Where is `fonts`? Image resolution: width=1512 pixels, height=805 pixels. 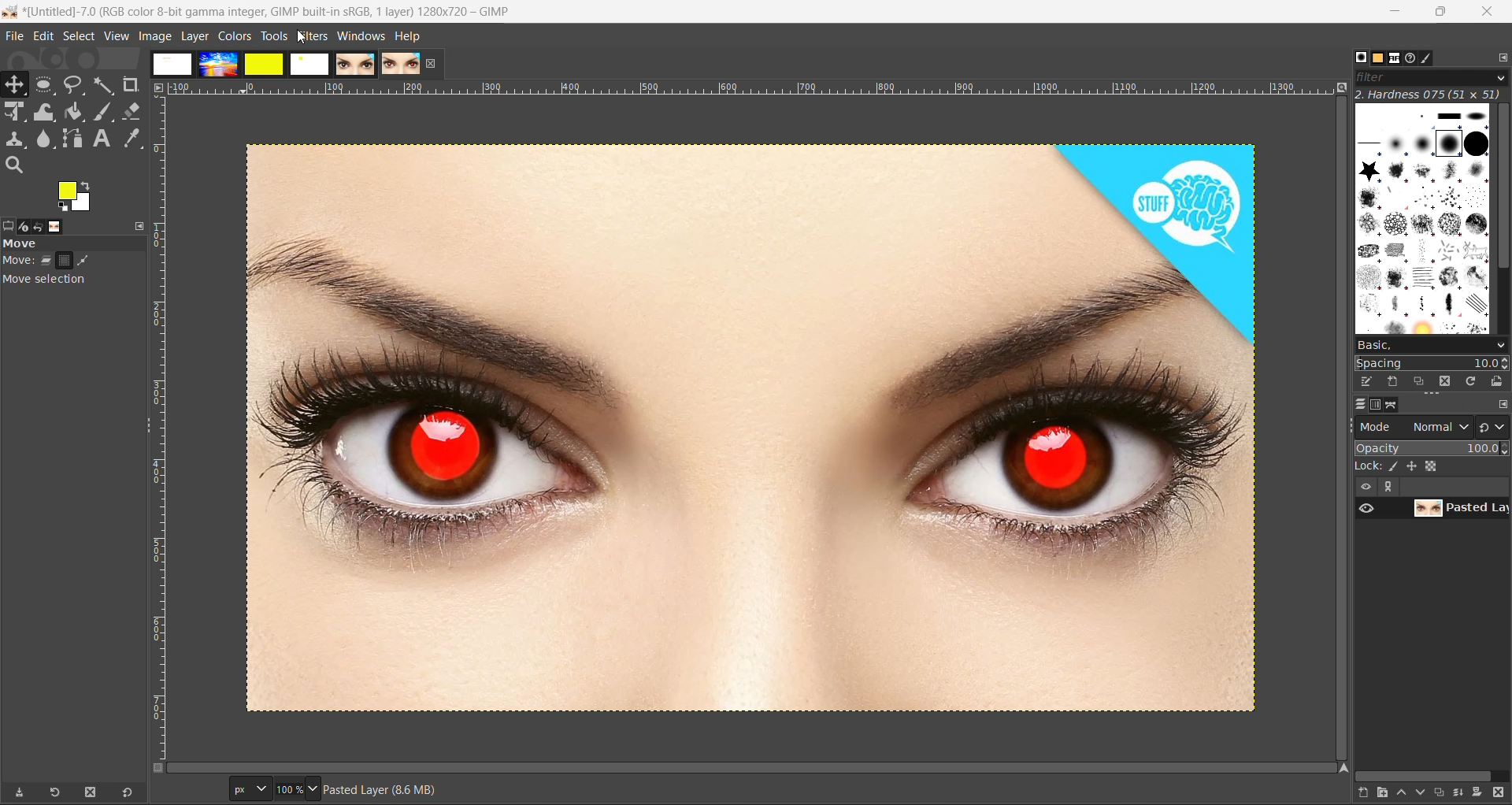 fonts is located at coordinates (1392, 58).